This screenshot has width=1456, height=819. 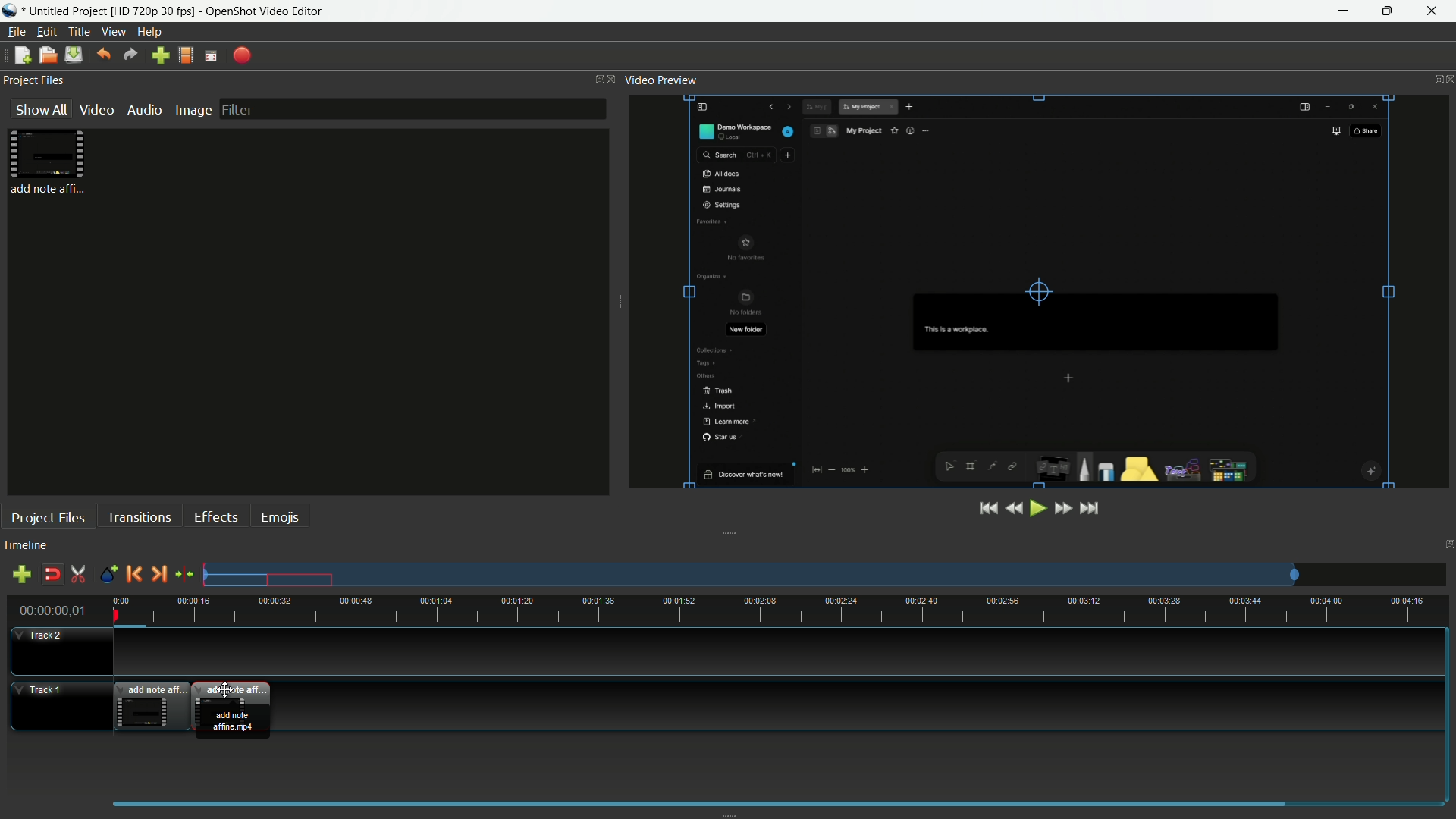 I want to click on title menu, so click(x=79, y=31).